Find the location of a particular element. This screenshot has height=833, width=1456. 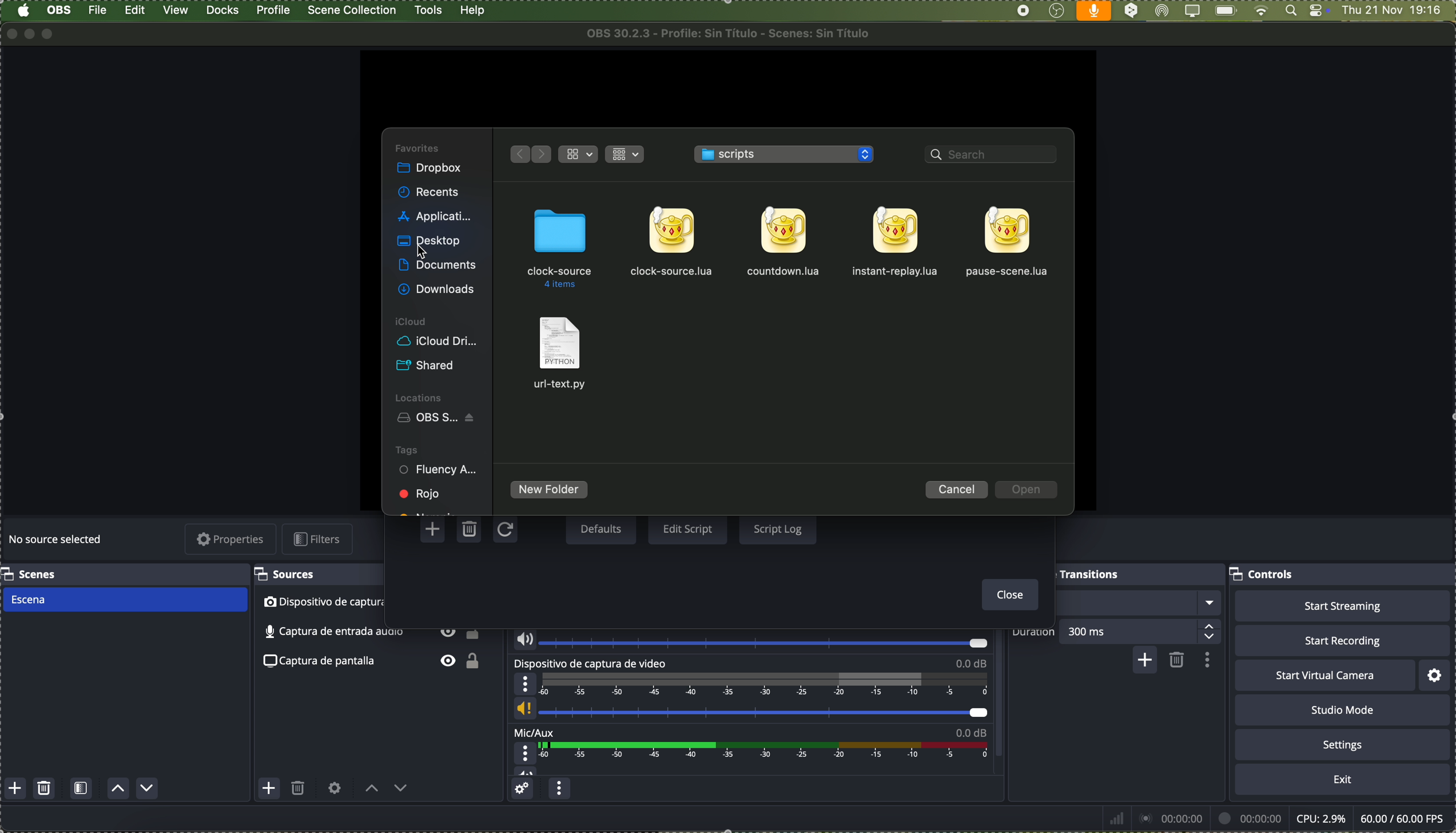

grid view is located at coordinates (627, 153).